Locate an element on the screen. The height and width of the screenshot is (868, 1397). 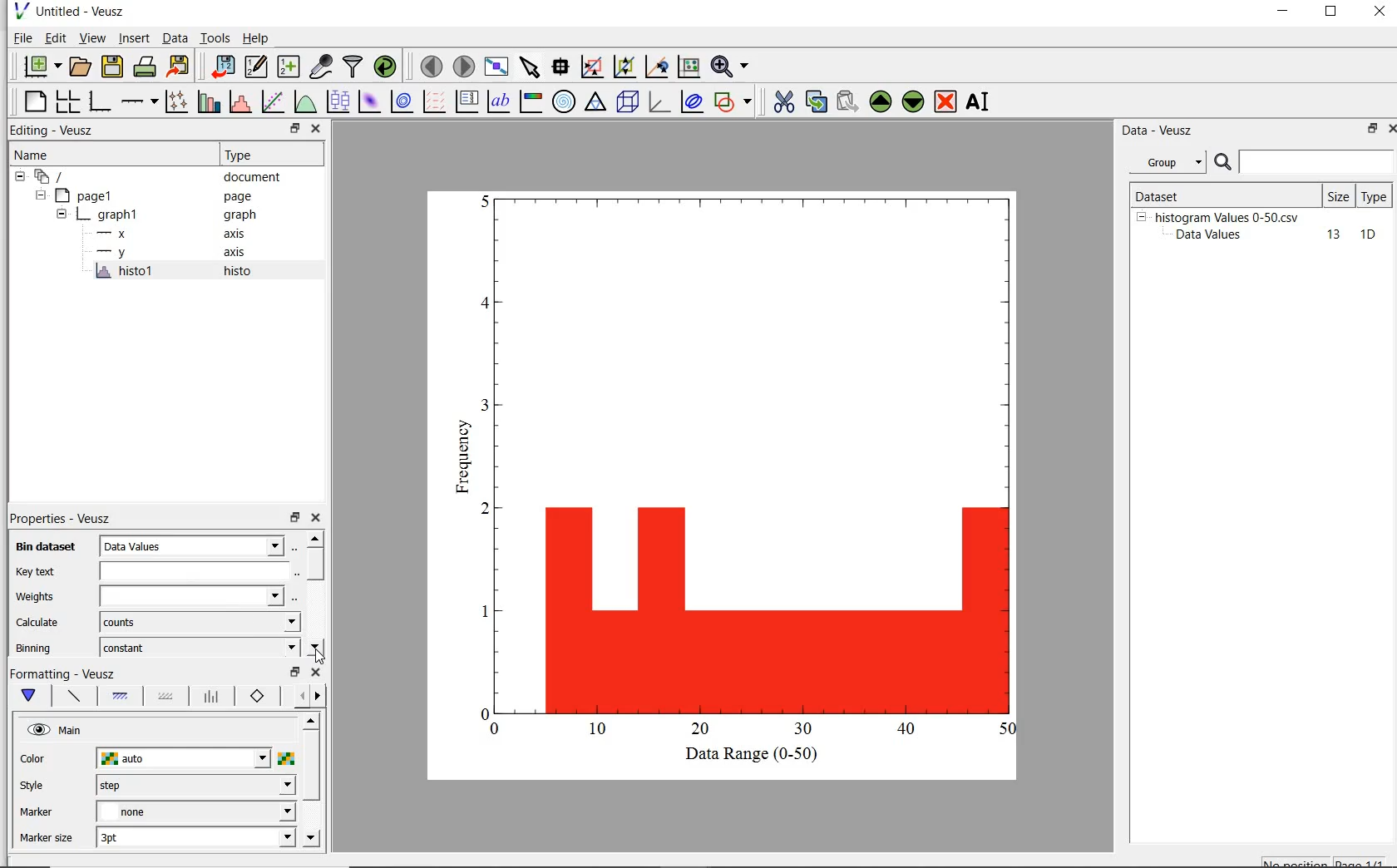
import data into veusz is located at coordinates (225, 67).